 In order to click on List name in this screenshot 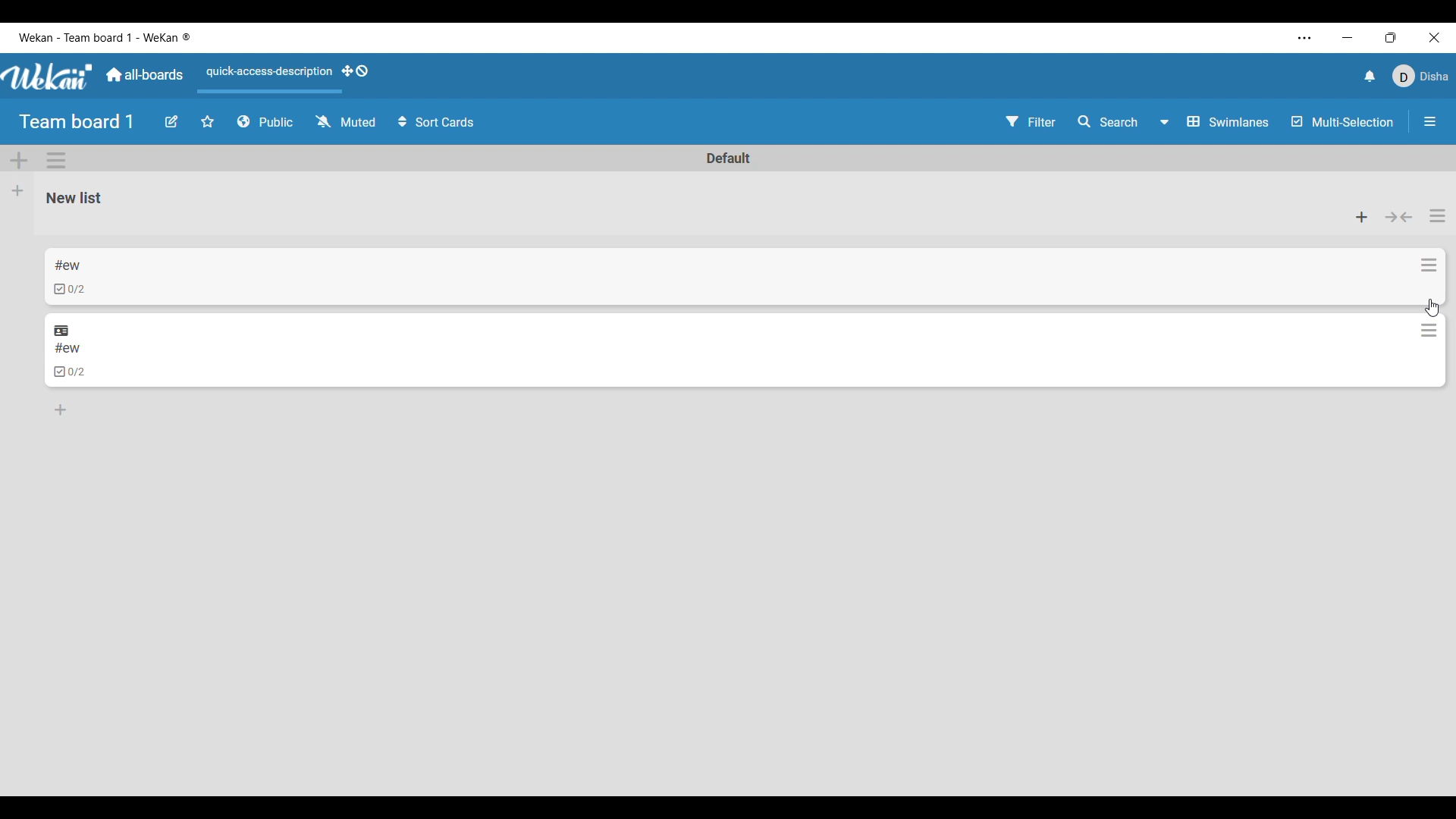, I will do `click(74, 199)`.